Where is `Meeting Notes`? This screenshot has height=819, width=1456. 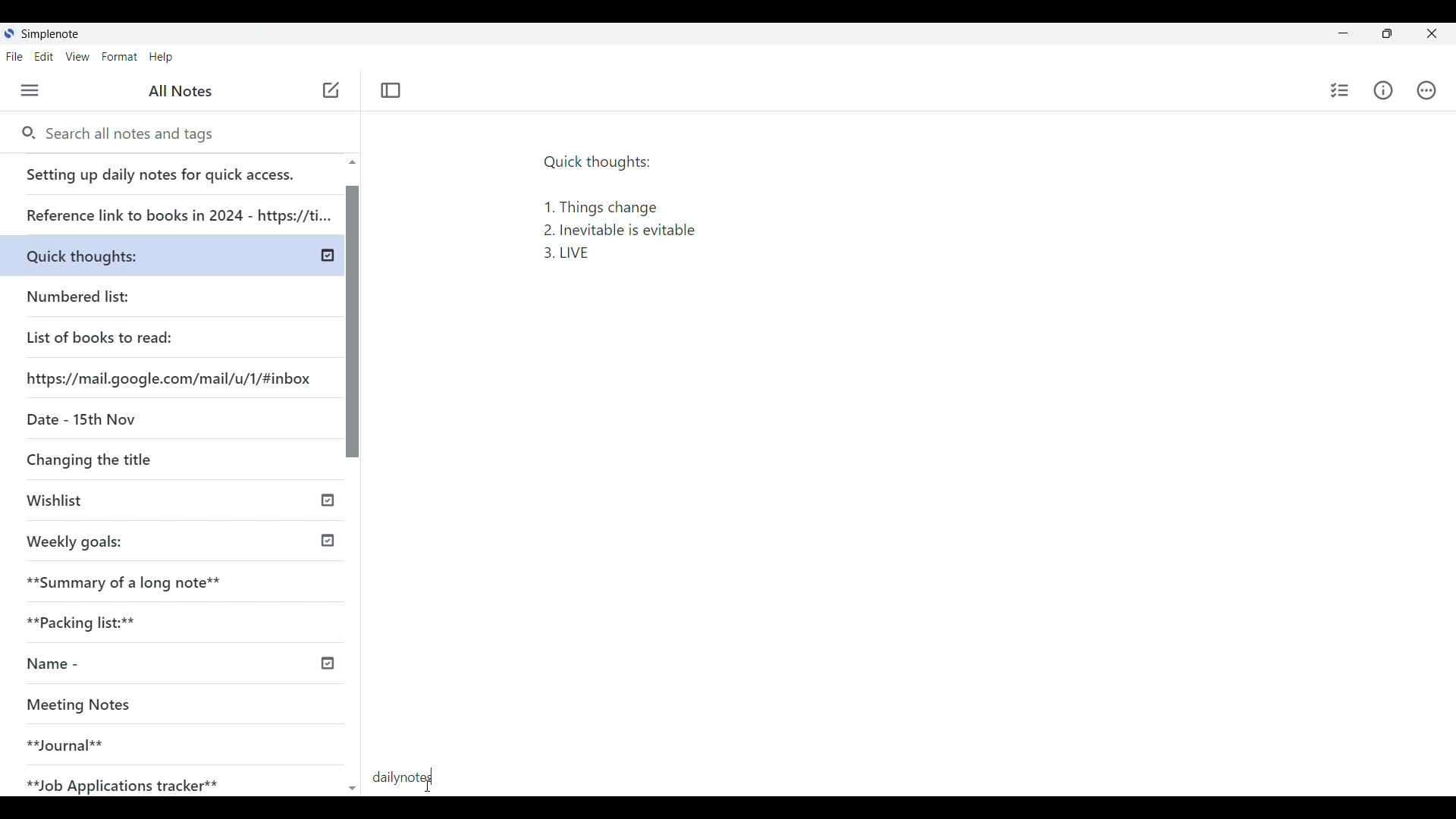
Meeting Notes is located at coordinates (153, 706).